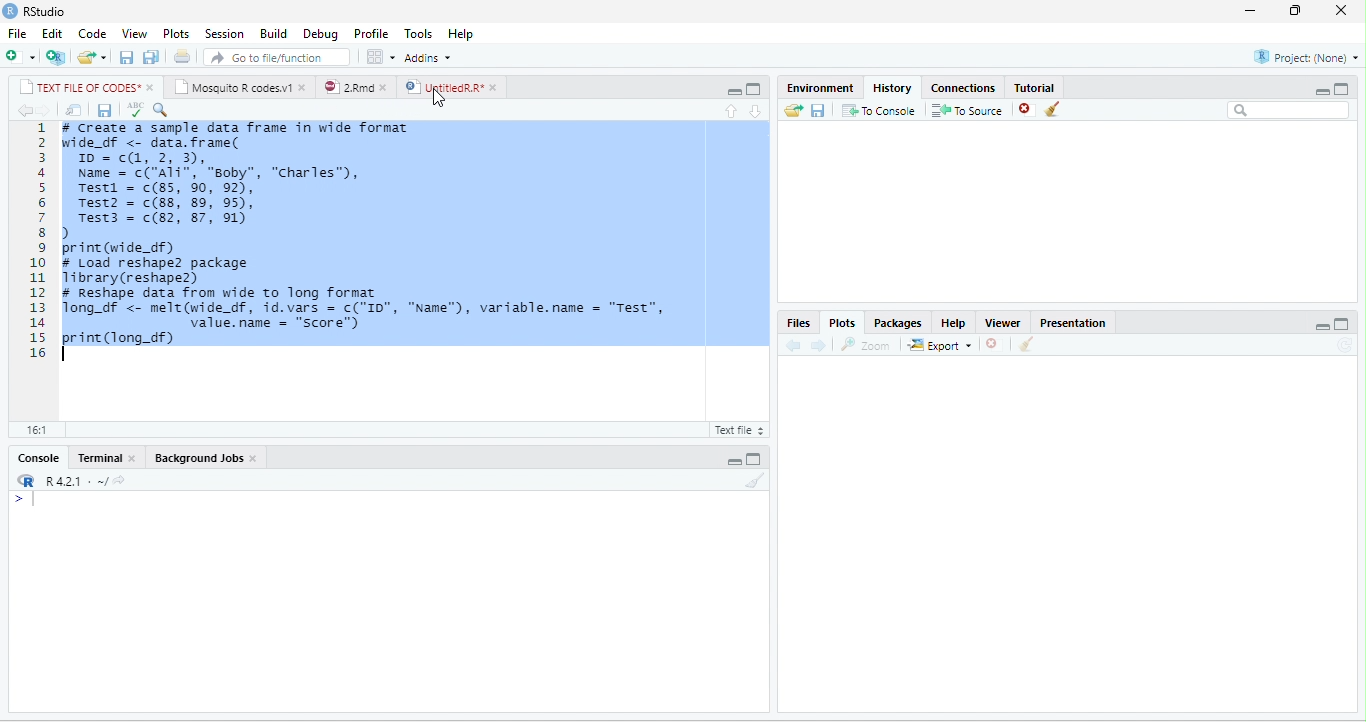 This screenshot has width=1366, height=722. Describe the element at coordinates (1306, 57) in the screenshot. I see `Project(None)` at that location.